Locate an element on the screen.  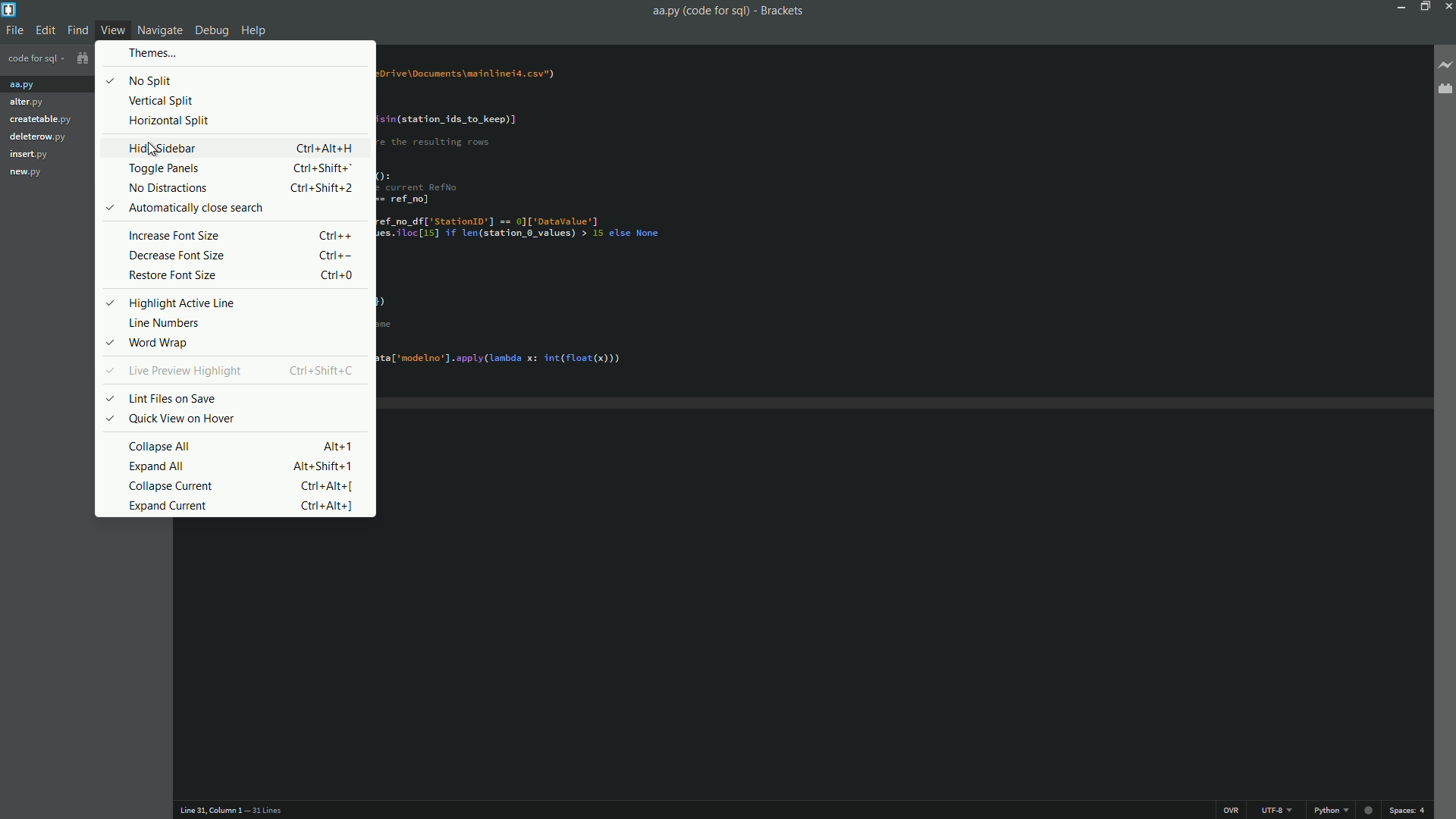
keyboard shortcut is located at coordinates (321, 188).